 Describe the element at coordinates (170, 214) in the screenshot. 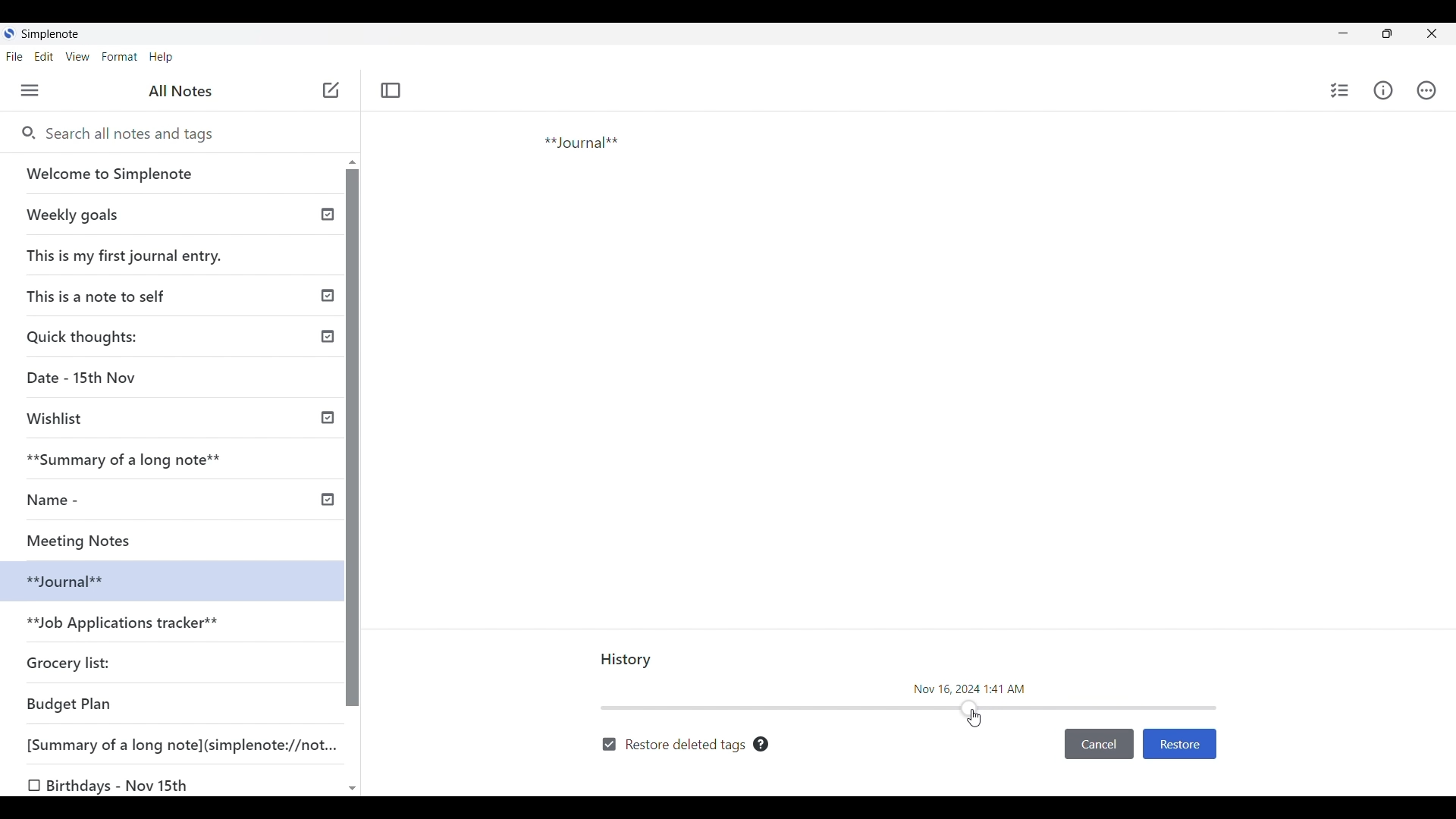

I see `weekly goals` at that location.